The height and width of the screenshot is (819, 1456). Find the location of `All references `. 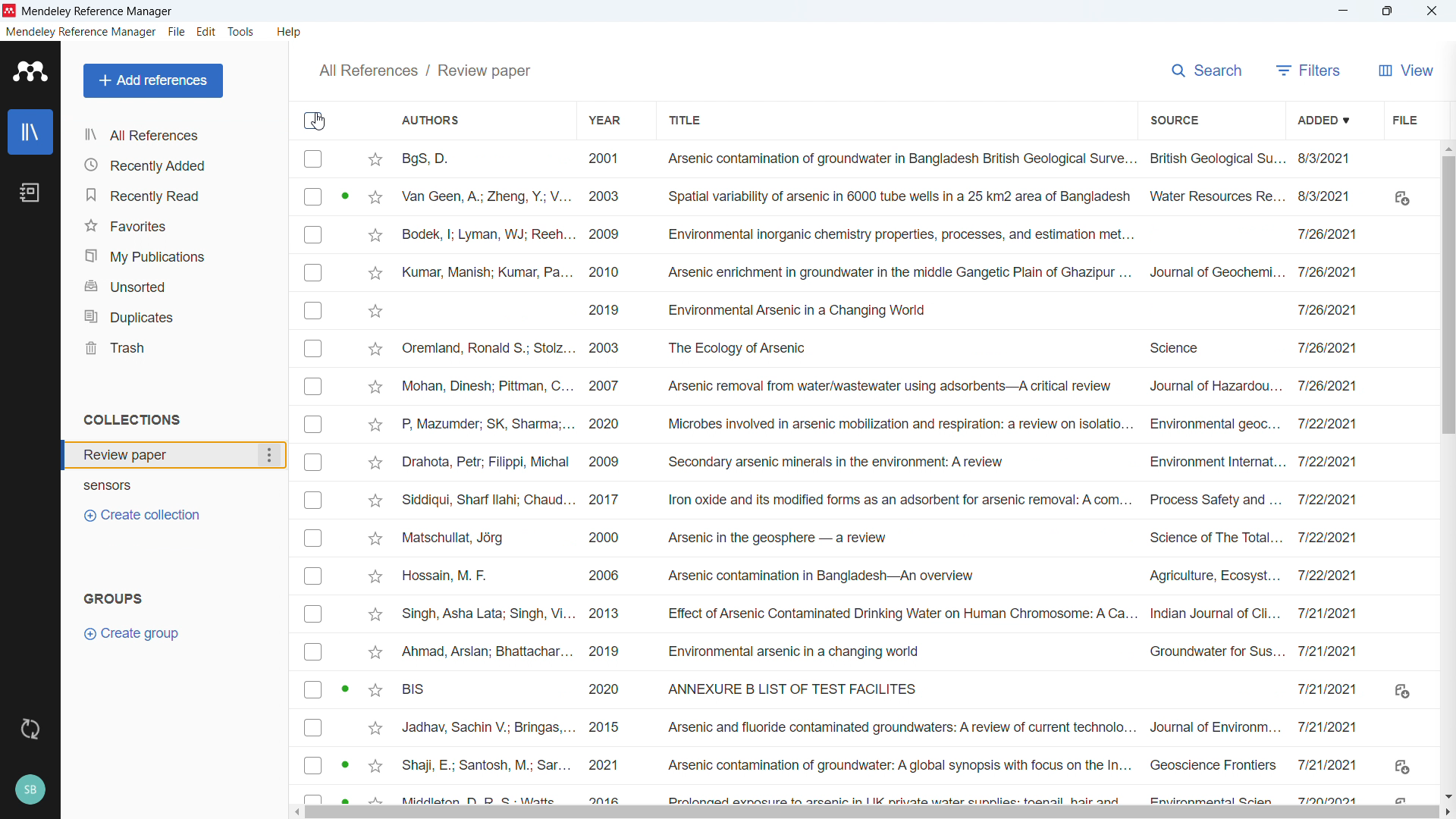

All references  is located at coordinates (174, 136).